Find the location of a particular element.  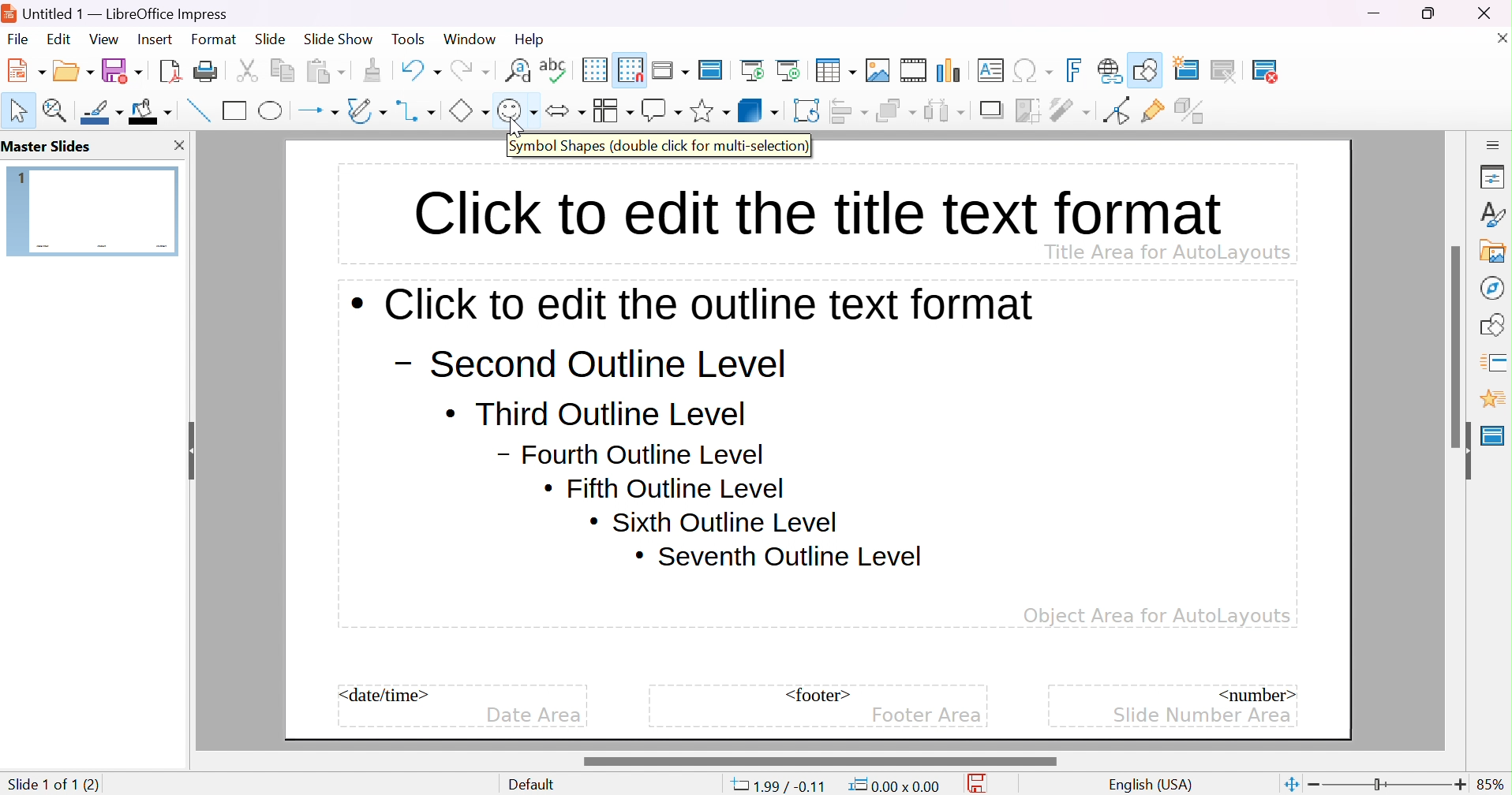

copy is located at coordinates (283, 68).